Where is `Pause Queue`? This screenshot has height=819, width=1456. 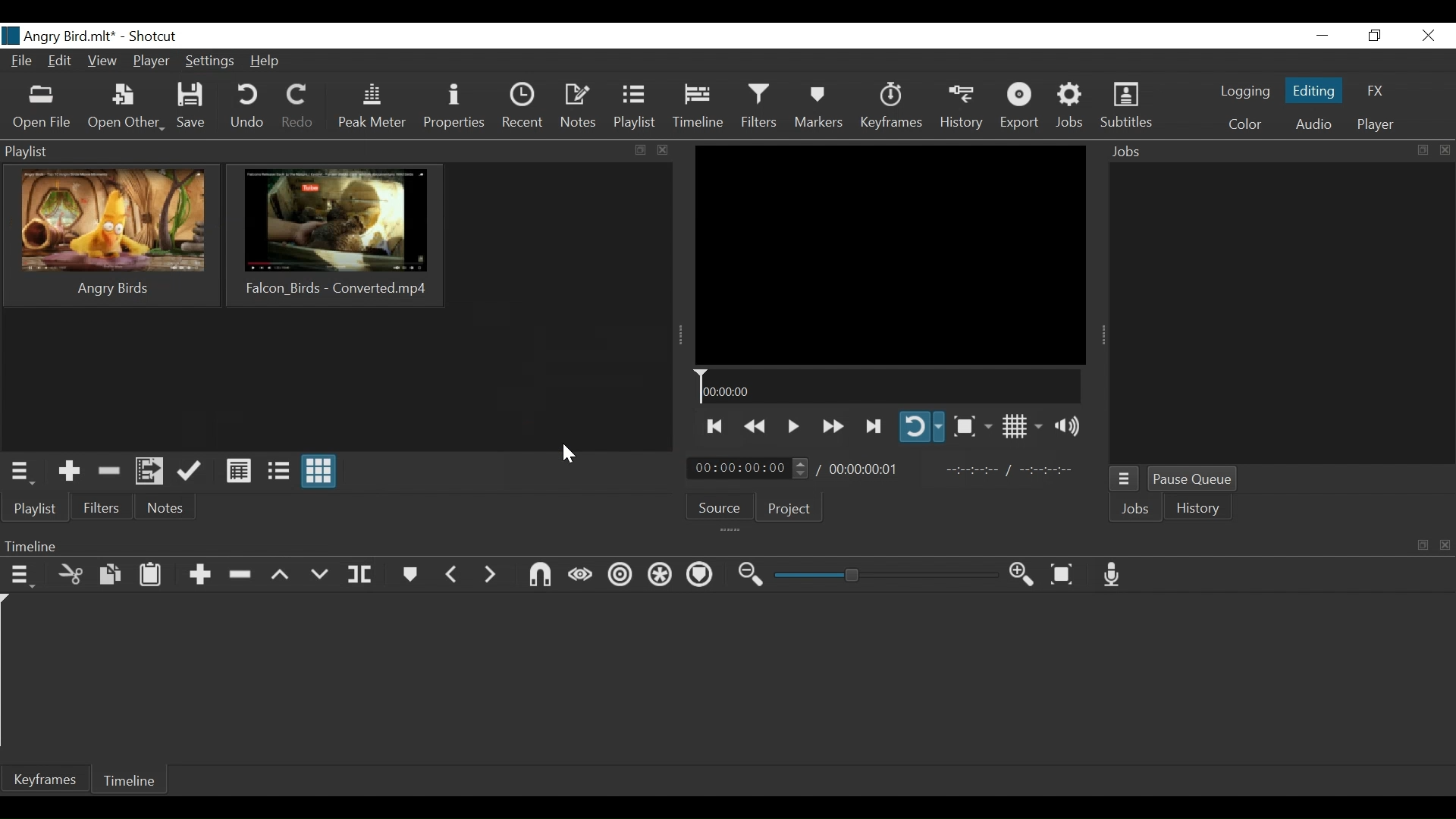
Pause Queue is located at coordinates (1194, 481).